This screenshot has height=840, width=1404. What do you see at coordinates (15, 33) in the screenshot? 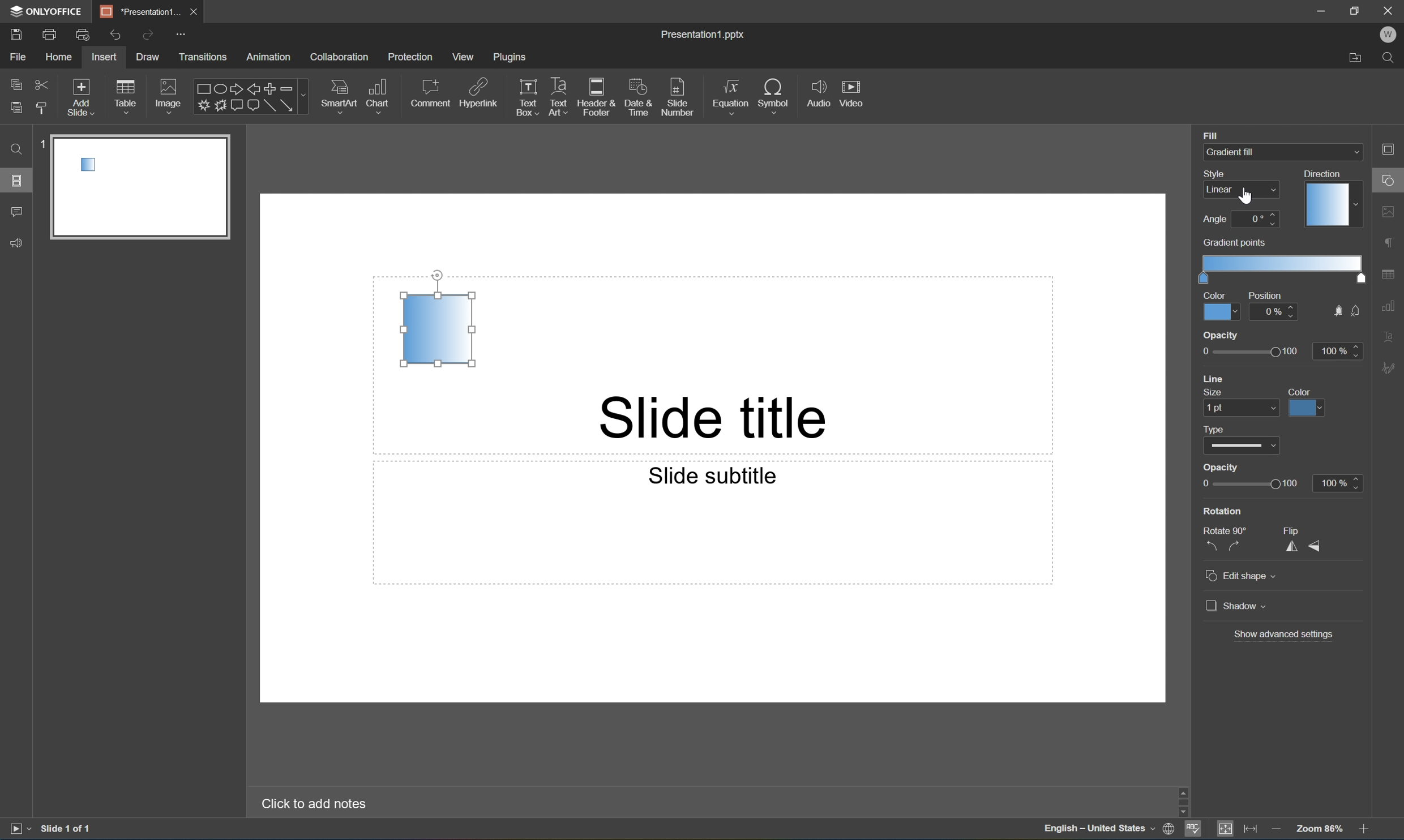
I see `Save` at bounding box center [15, 33].